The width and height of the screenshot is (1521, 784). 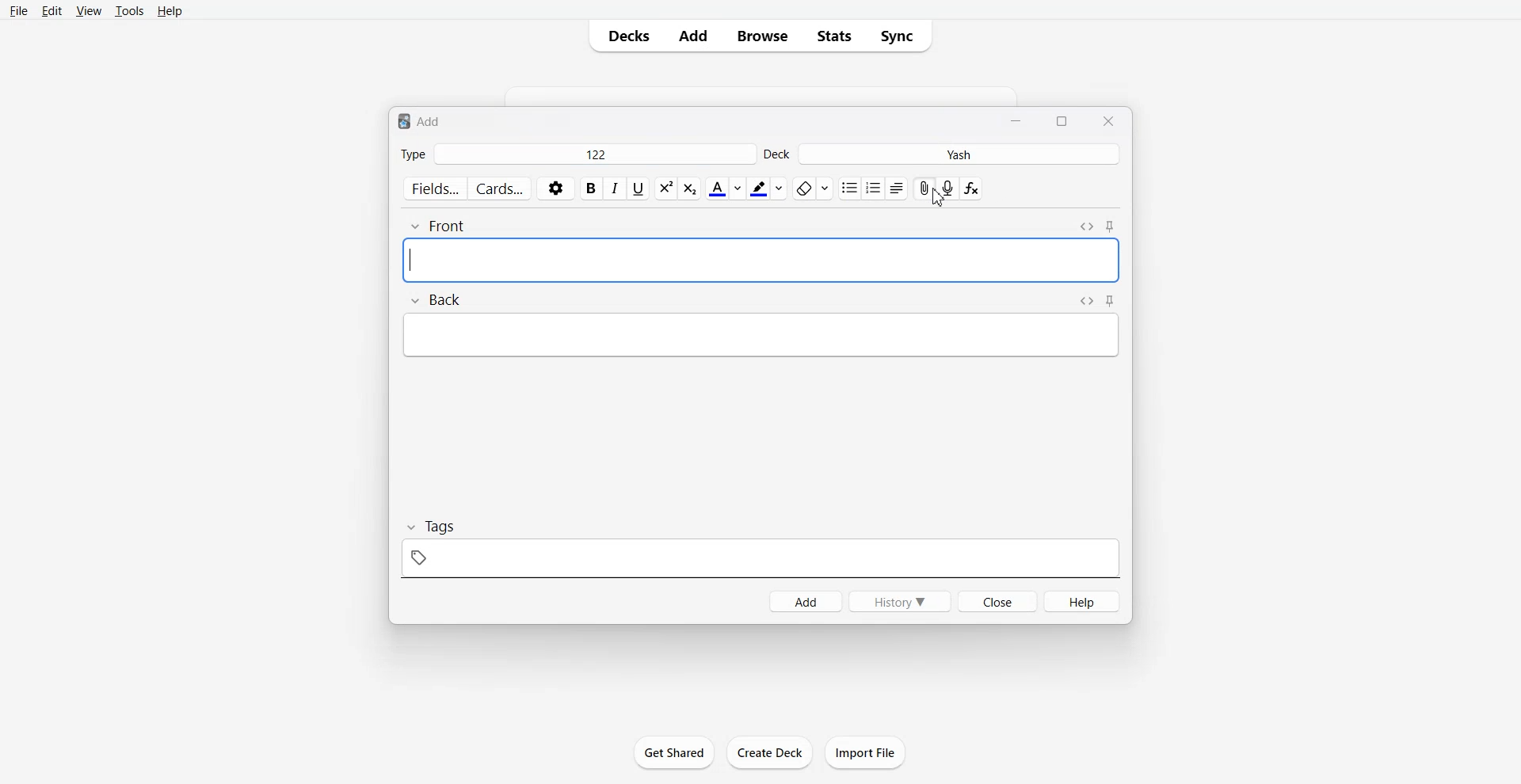 I want to click on Yash, so click(x=962, y=154).